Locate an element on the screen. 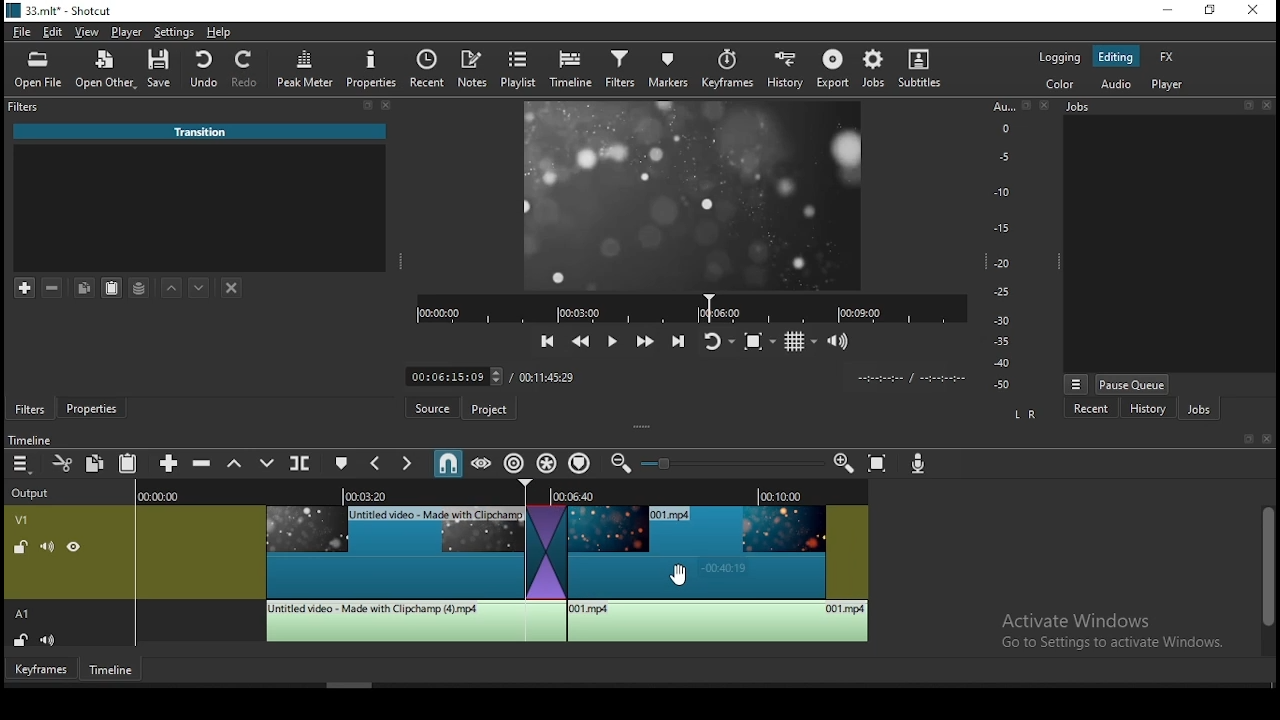 This screenshot has width=1280, height=720. elapsed time is located at coordinates (440, 376).